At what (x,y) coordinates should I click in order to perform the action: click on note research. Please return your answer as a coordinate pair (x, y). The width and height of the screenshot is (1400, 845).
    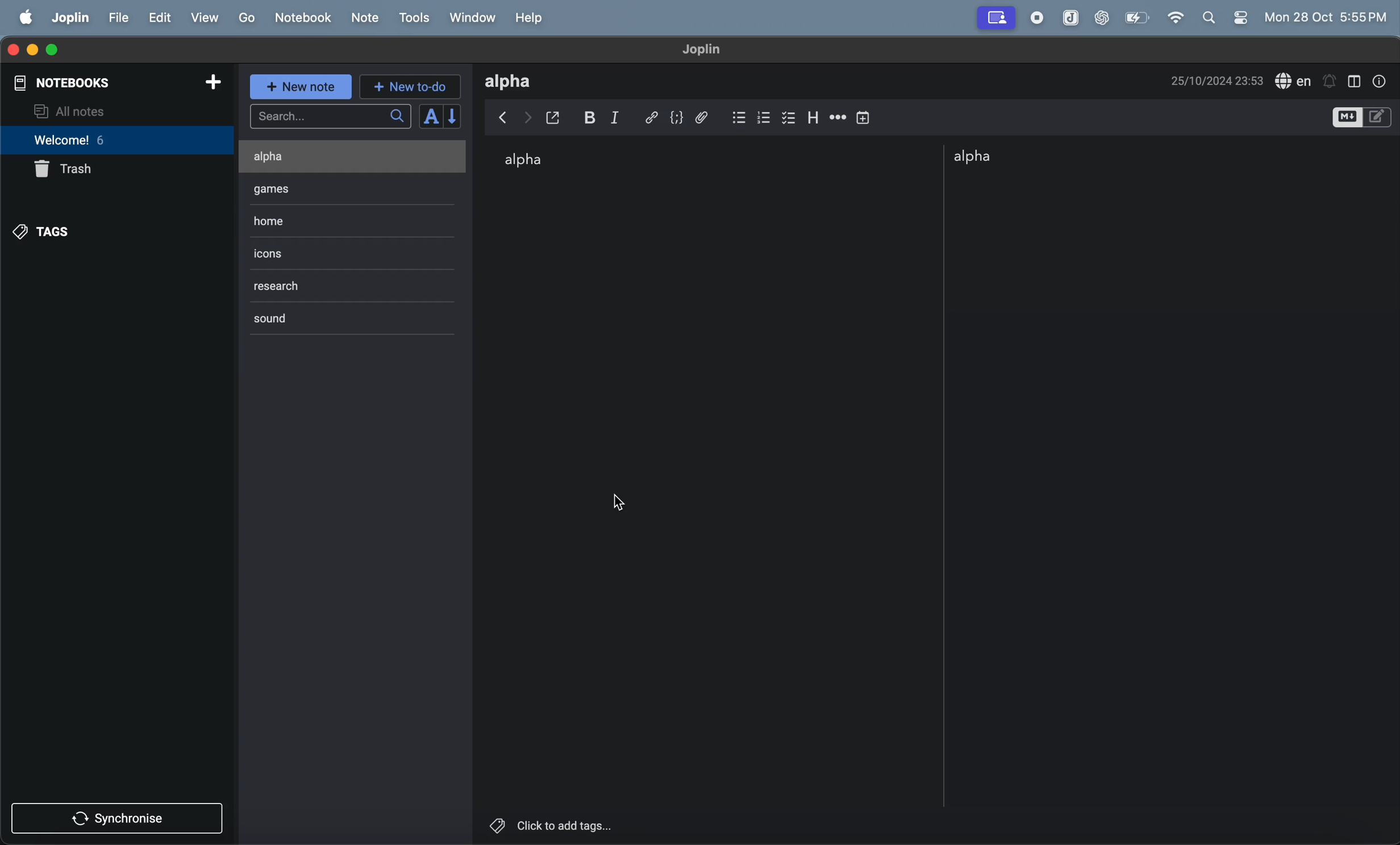
    Looking at the image, I should click on (299, 288).